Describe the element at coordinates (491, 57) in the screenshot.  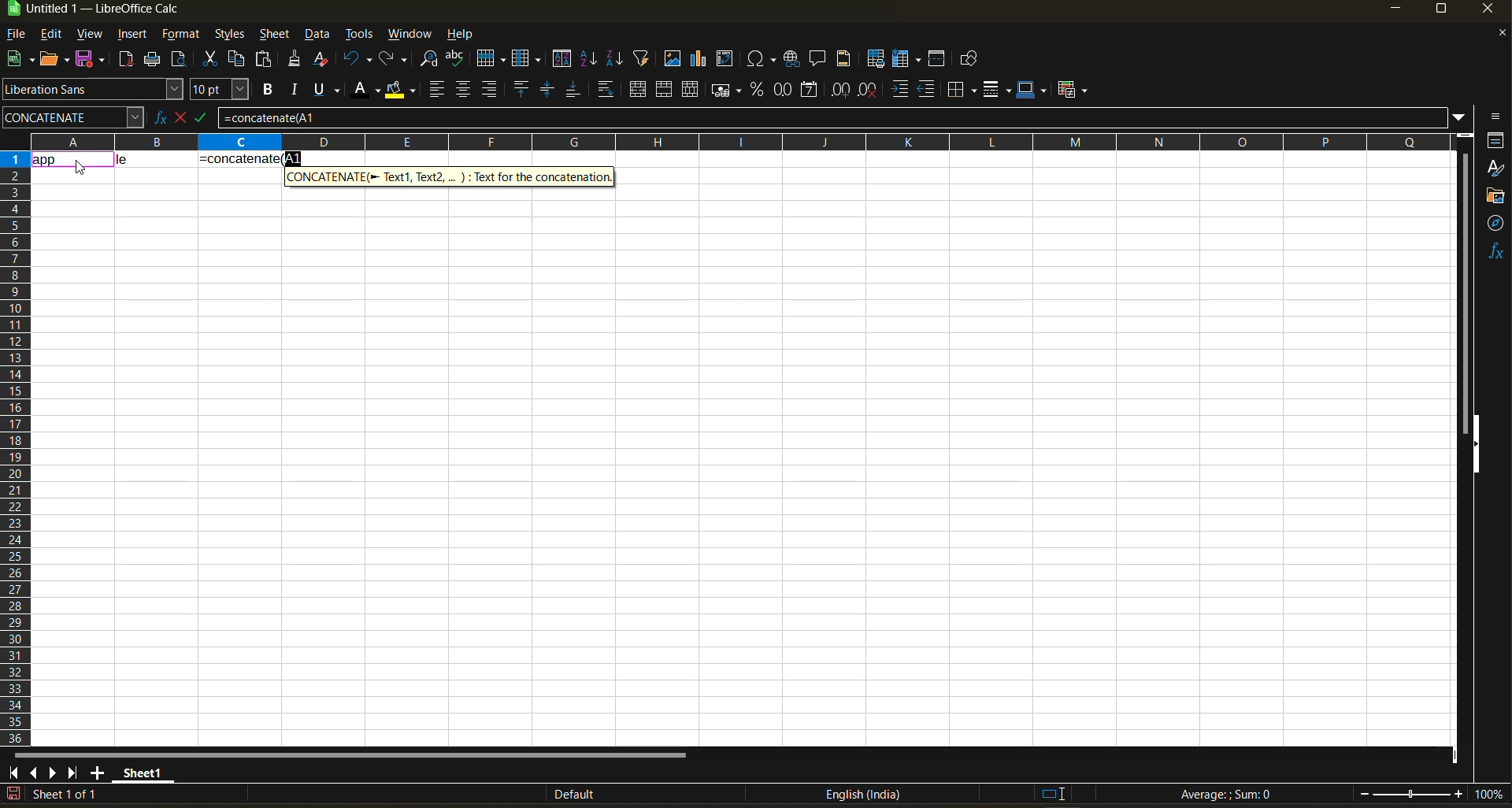
I see `row` at that location.